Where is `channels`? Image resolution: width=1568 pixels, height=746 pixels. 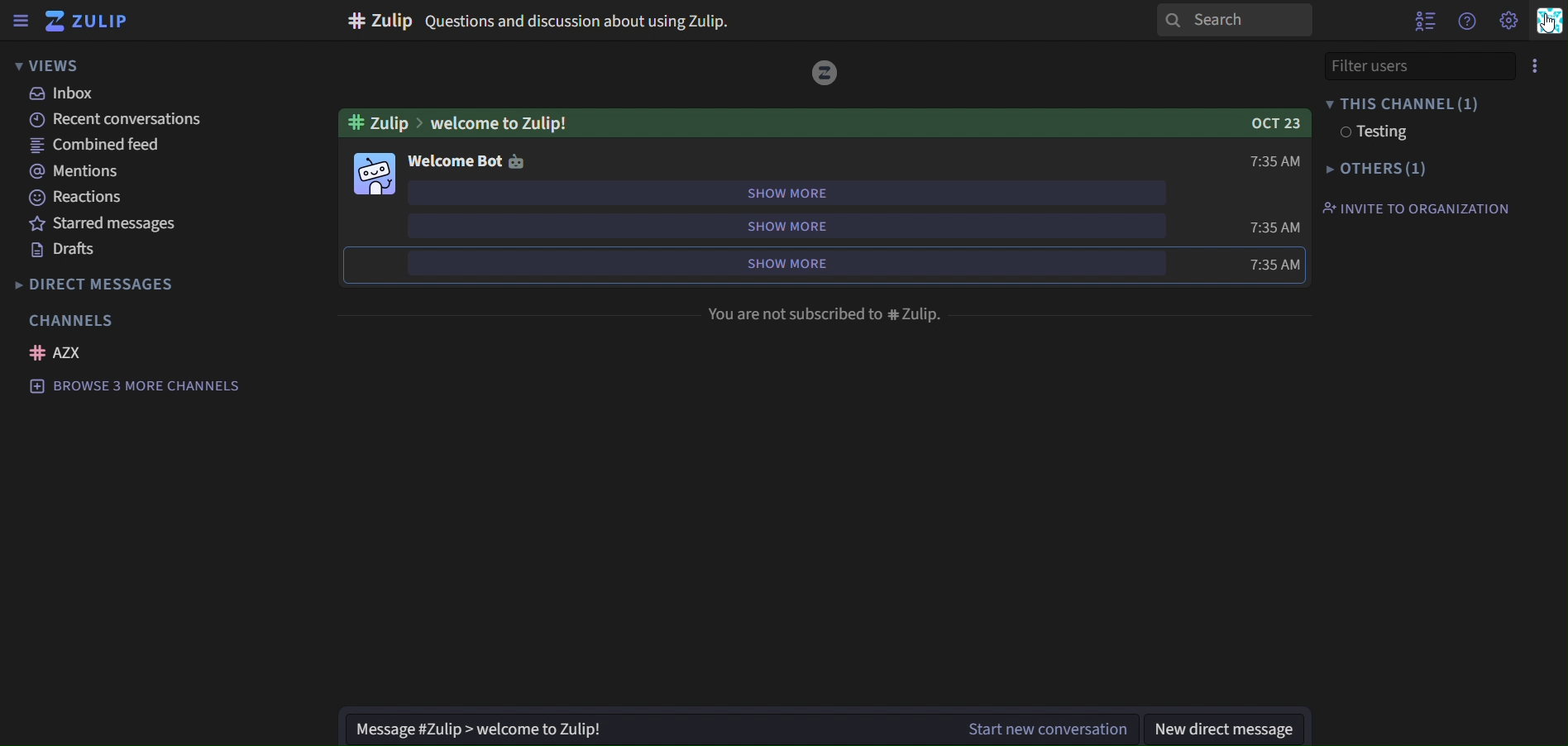 channels is located at coordinates (79, 322).